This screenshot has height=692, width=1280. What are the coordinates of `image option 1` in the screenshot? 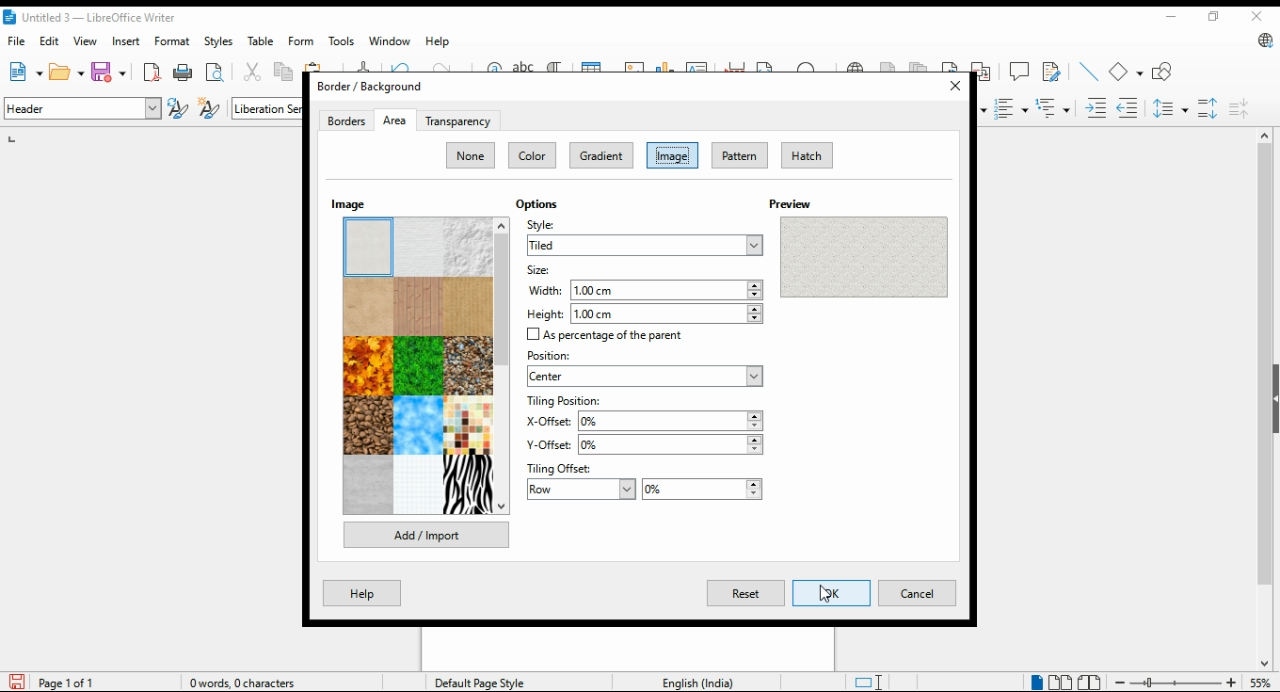 It's located at (367, 246).